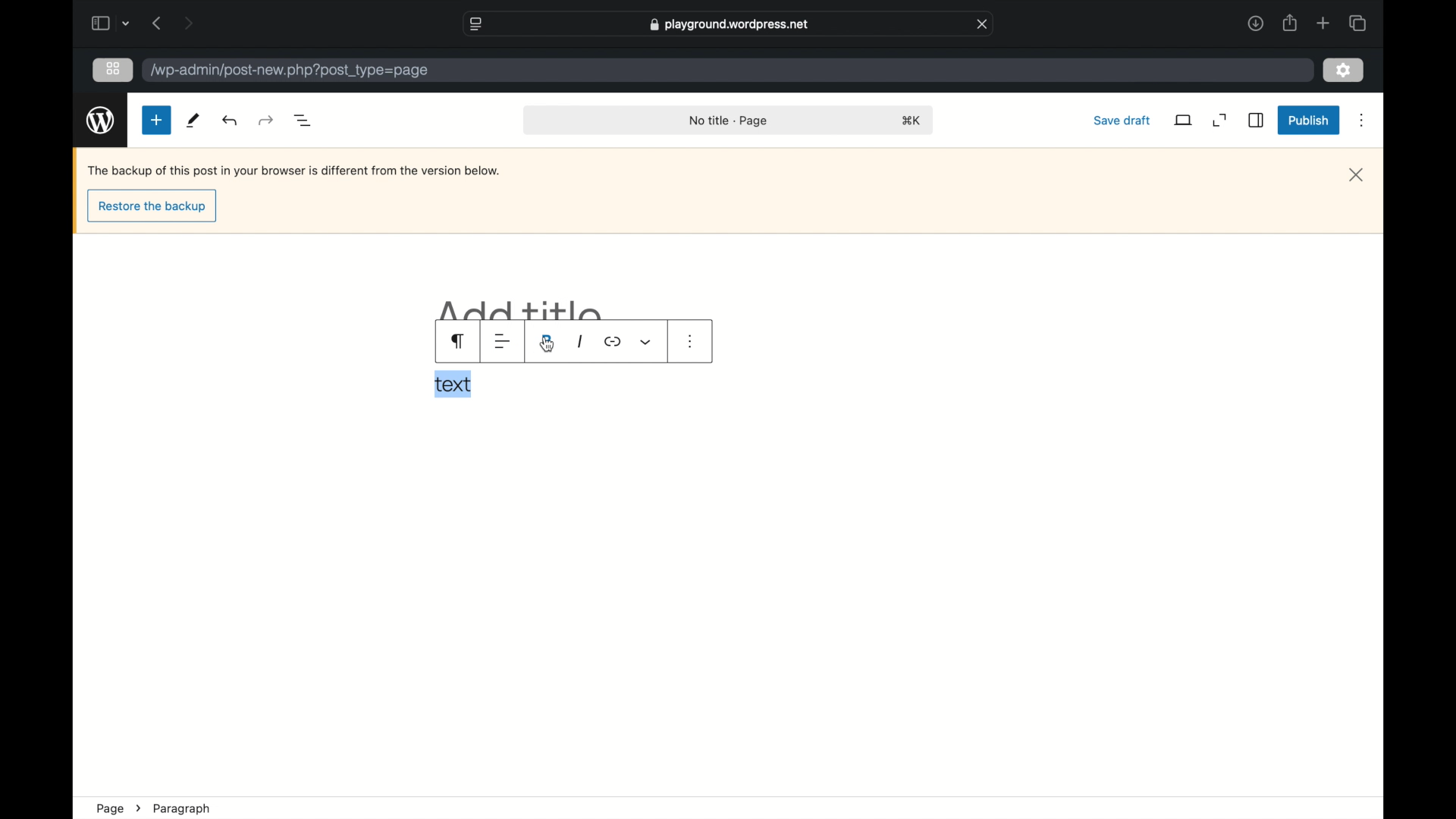 This screenshot has height=819, width=1456. Describe the element at coordinates (730, 120) in the screenshot. I see `no title page` at that location.